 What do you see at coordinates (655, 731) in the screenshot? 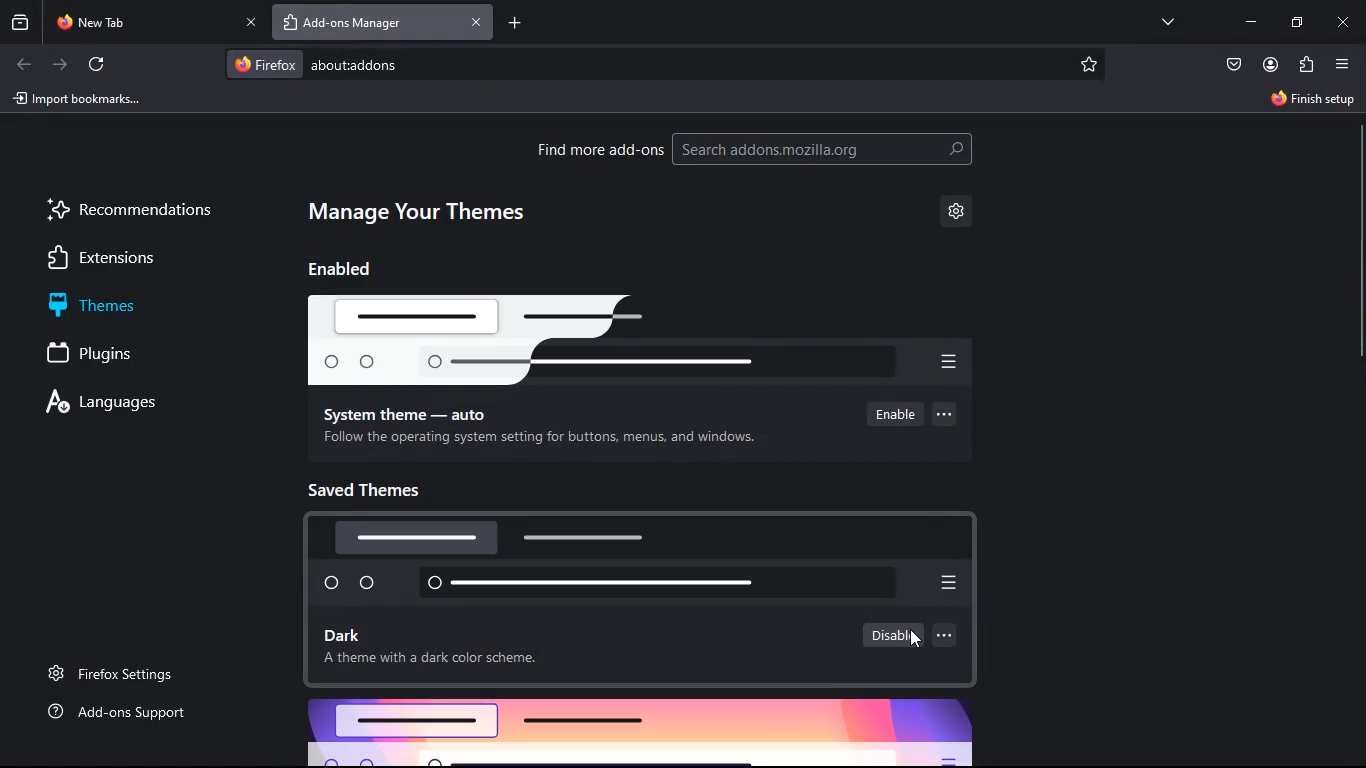
I see `logo` at bounding box center [655, 731].